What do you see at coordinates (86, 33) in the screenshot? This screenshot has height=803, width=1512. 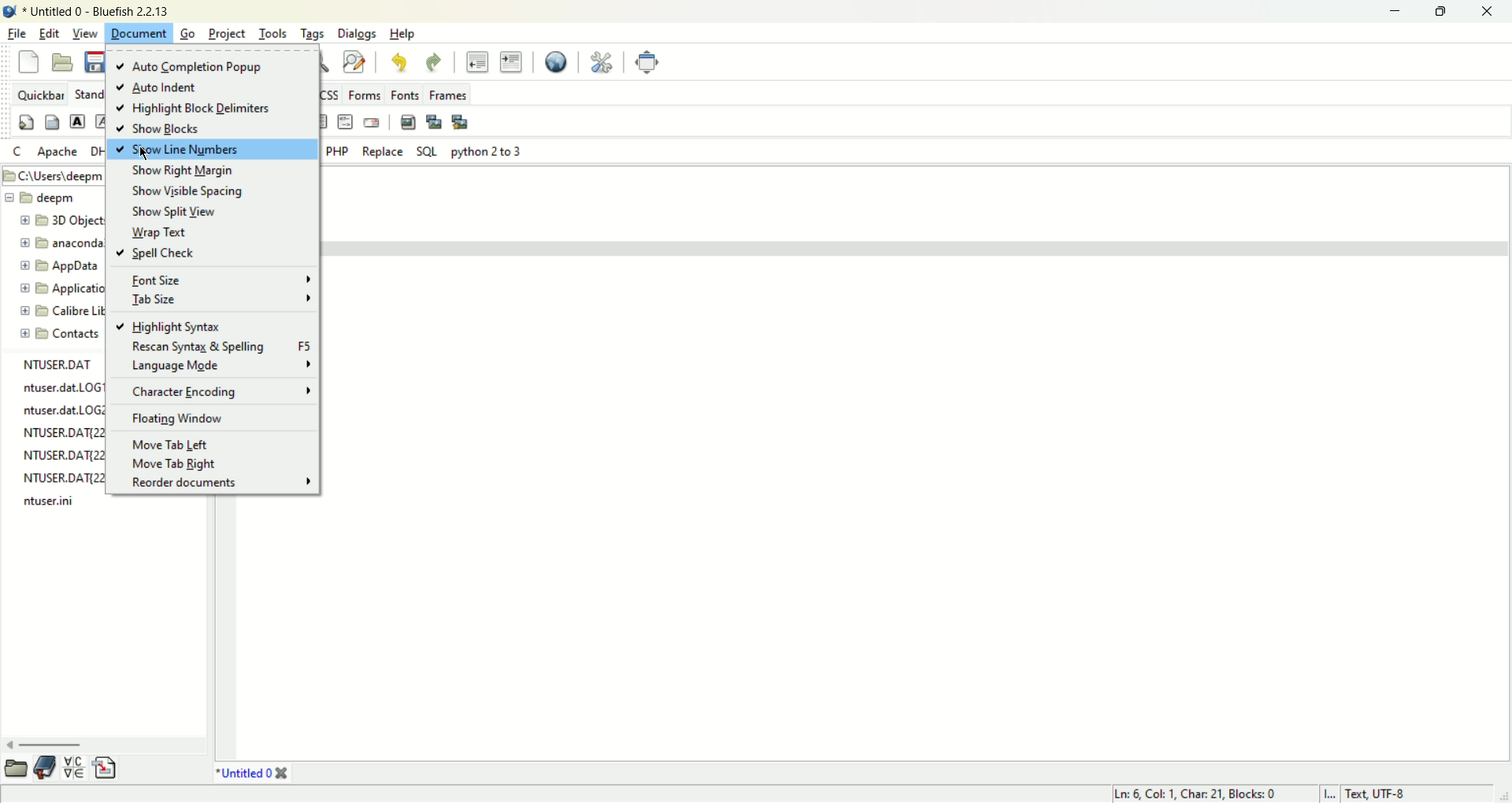 I see `view` at bounding box center [86, 33].